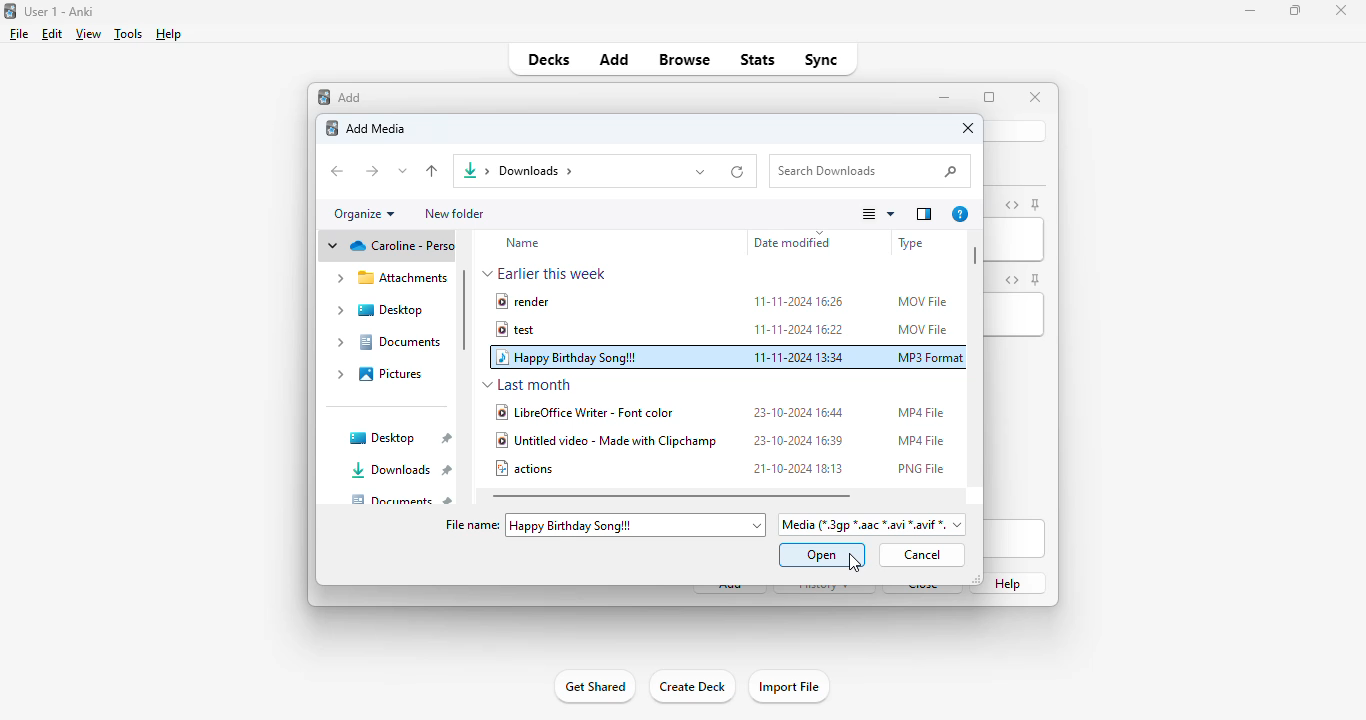  I want to click on add, so click(324, 98).